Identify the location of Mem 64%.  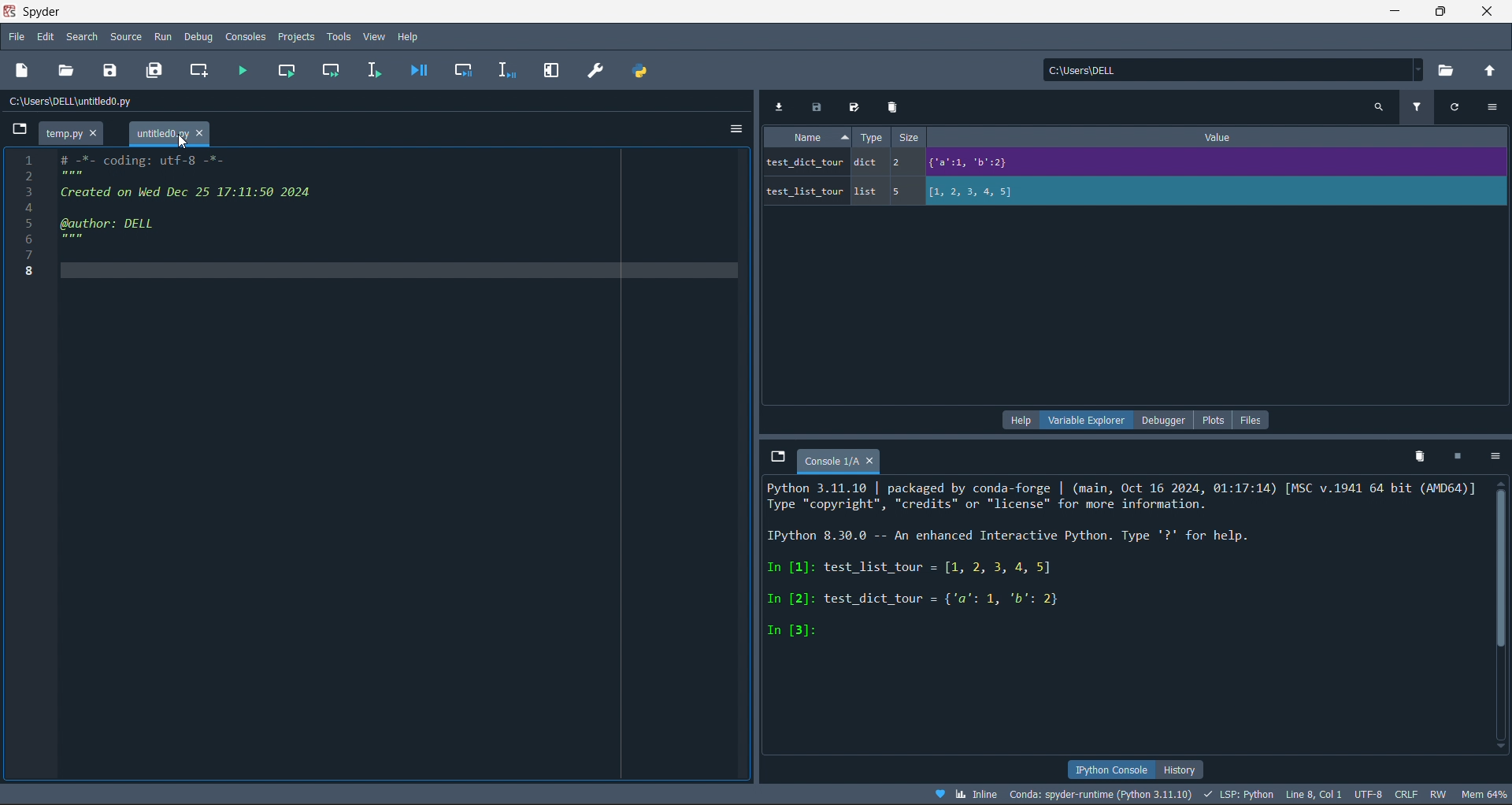
(1482, 794).